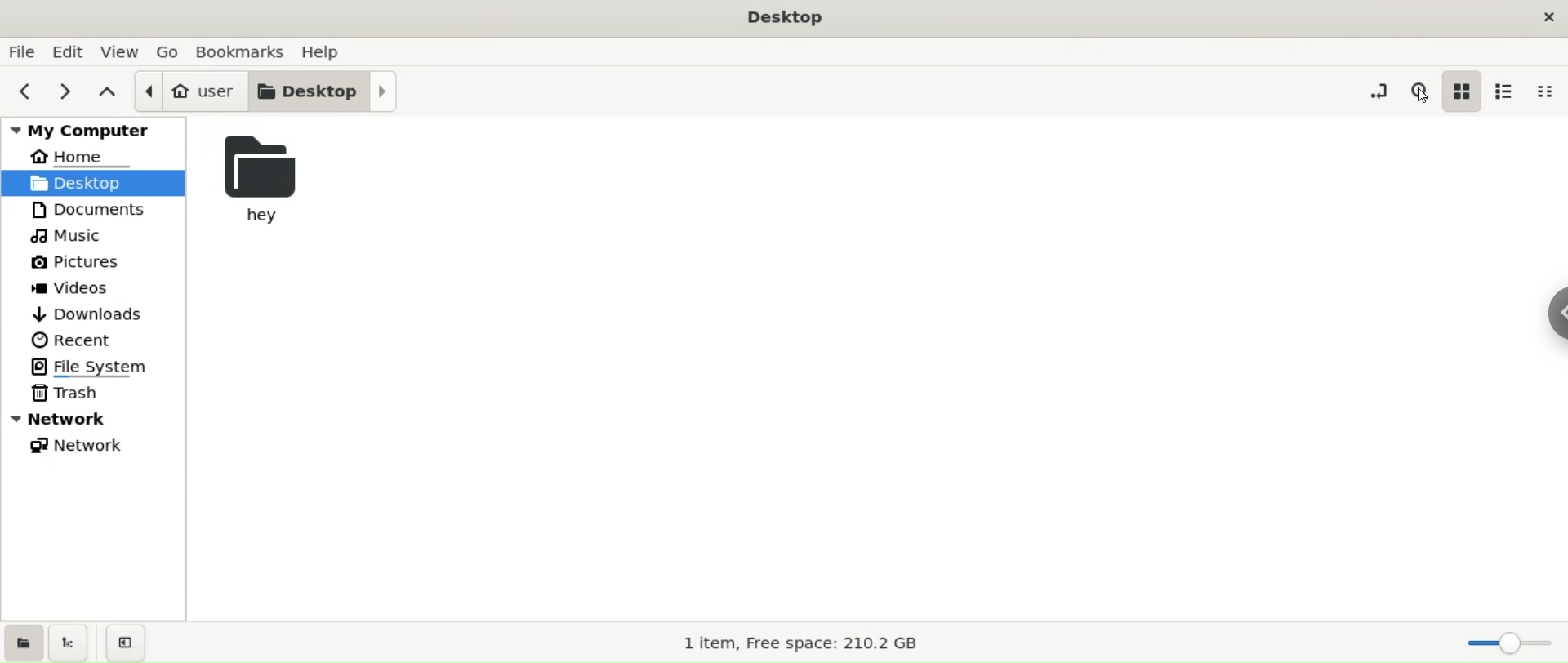 The width and height of the screenshot is (1568, 663). What do you see at coordinates (1552, 311) in the screenshot?
I see `sidebar` at bounding box center [1552, 311].